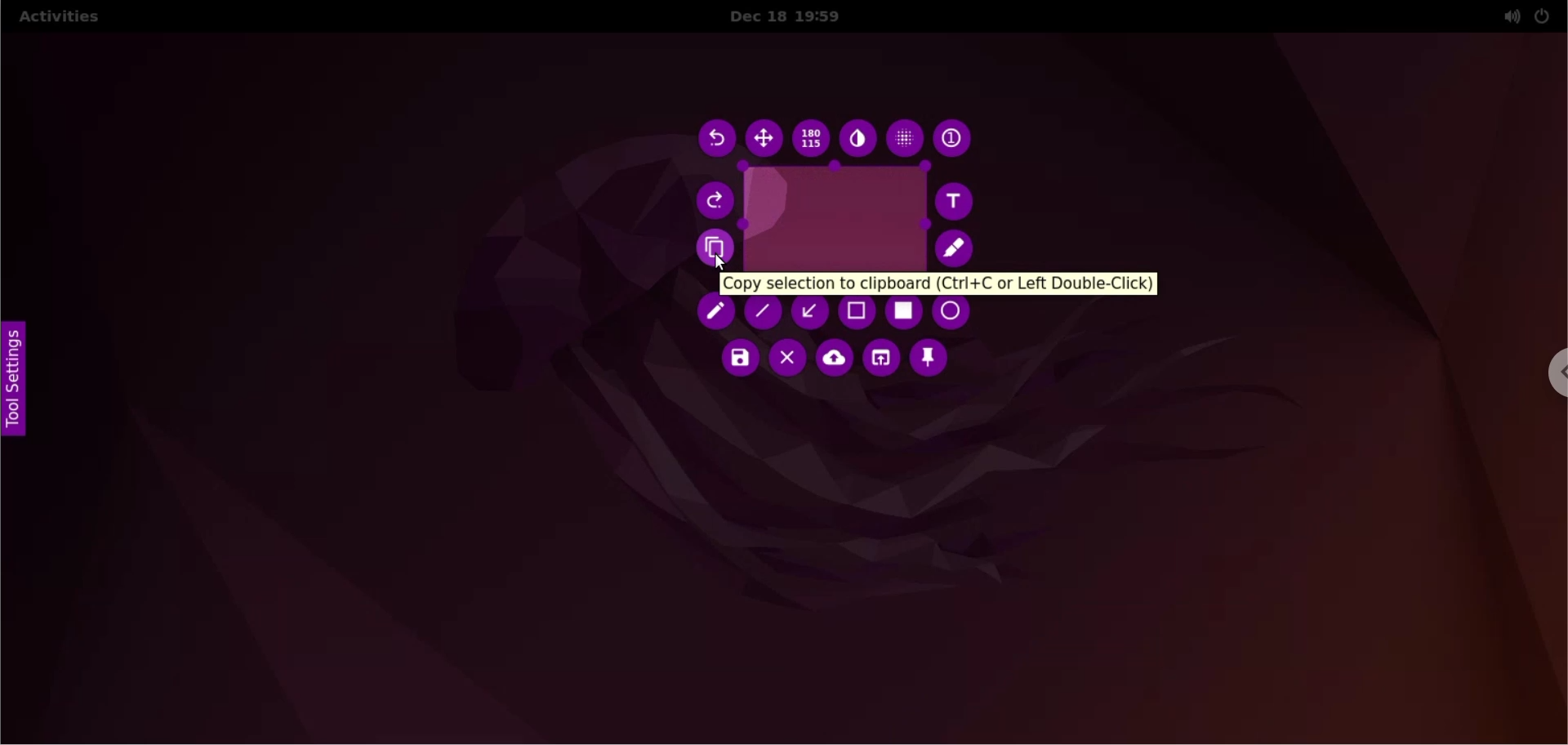 This screenshot has width=1568, height=745. I want to click on close, so click(787, 360).